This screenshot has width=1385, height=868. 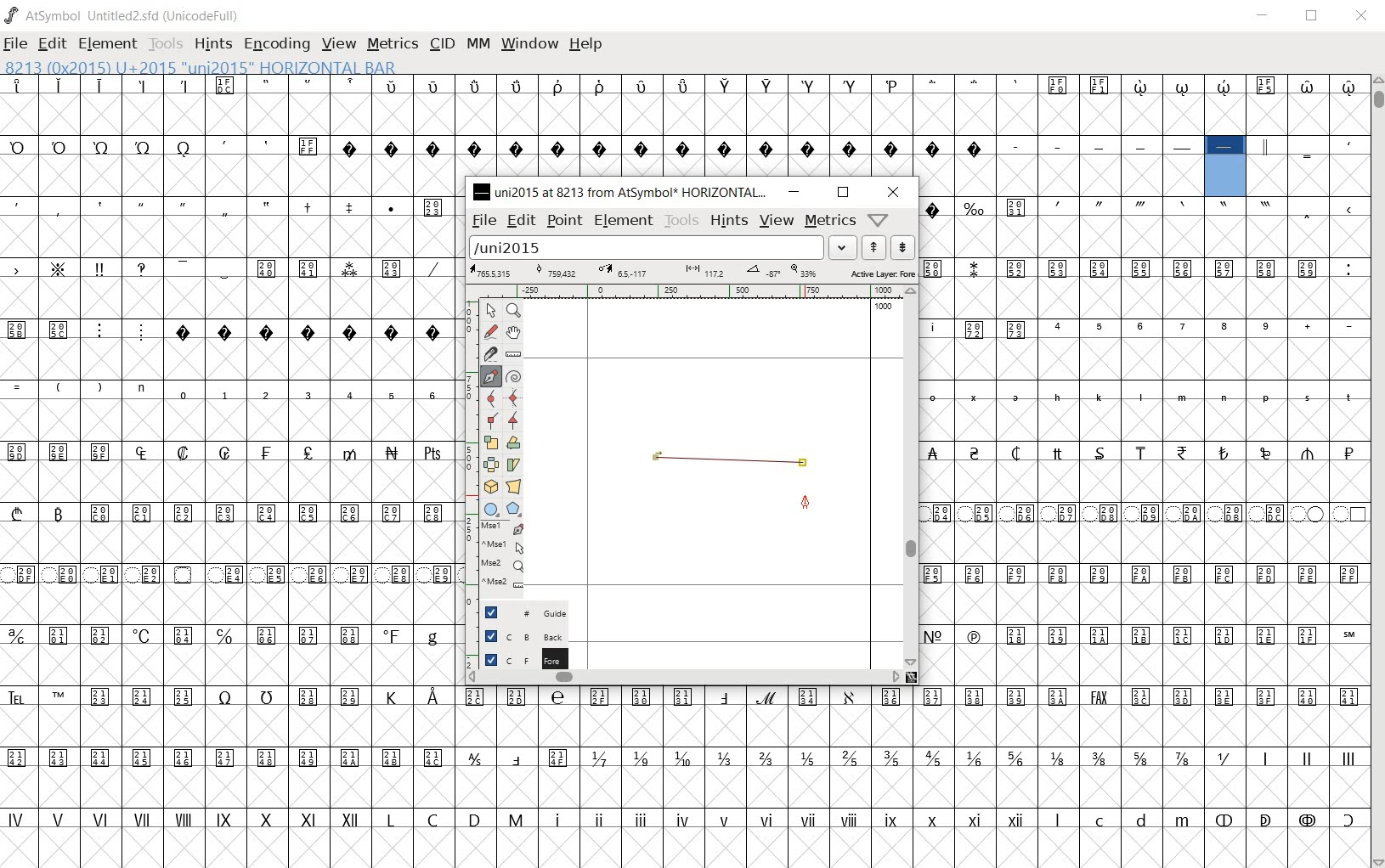 What do you see at coordinates (928, 105) in the screenshot?
I see `glyph characters` at bounding box center [928, 105].